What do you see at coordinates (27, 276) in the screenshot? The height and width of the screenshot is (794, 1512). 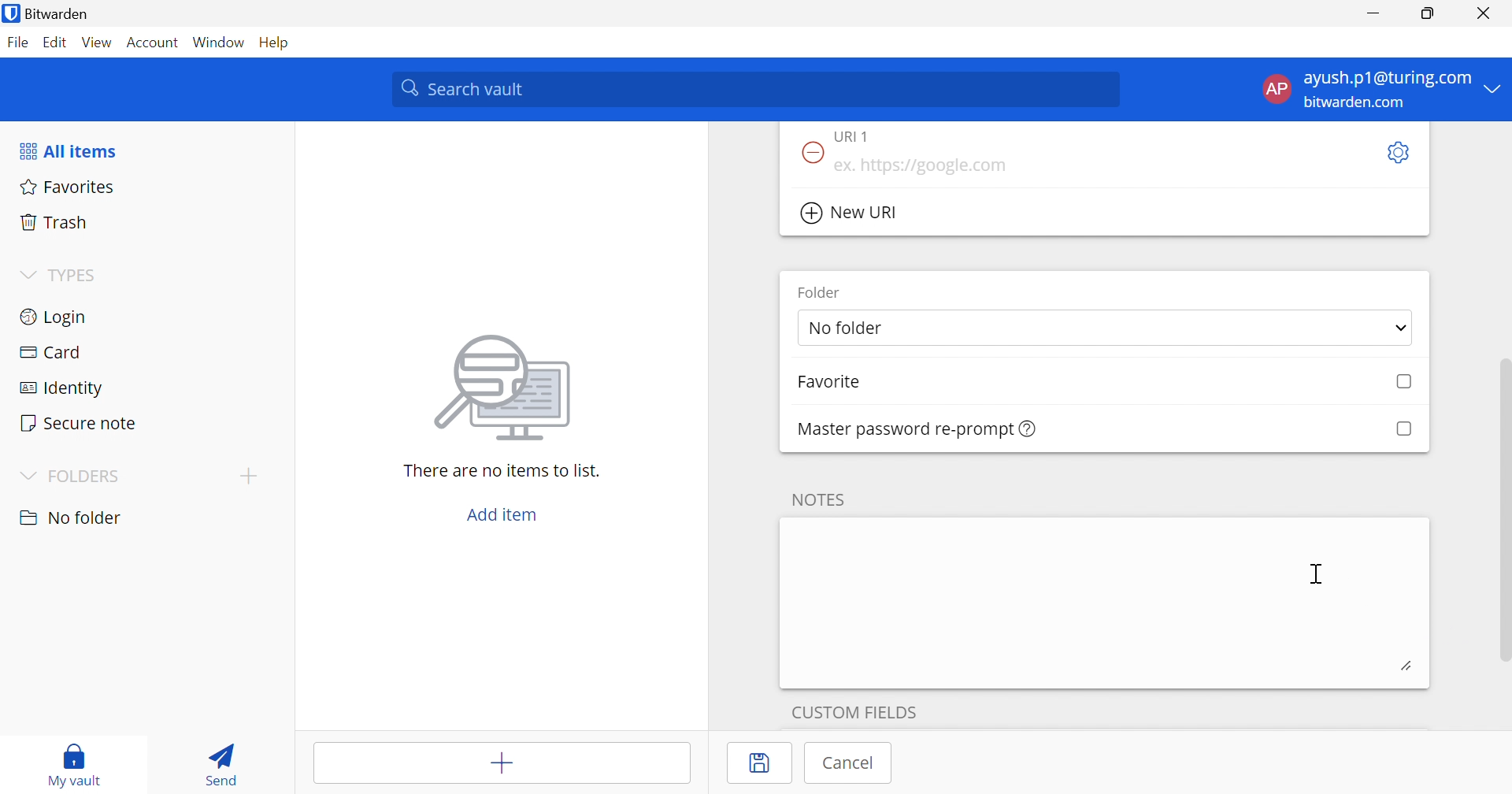 I see `Drop Down` at bounding box center [27, 276].